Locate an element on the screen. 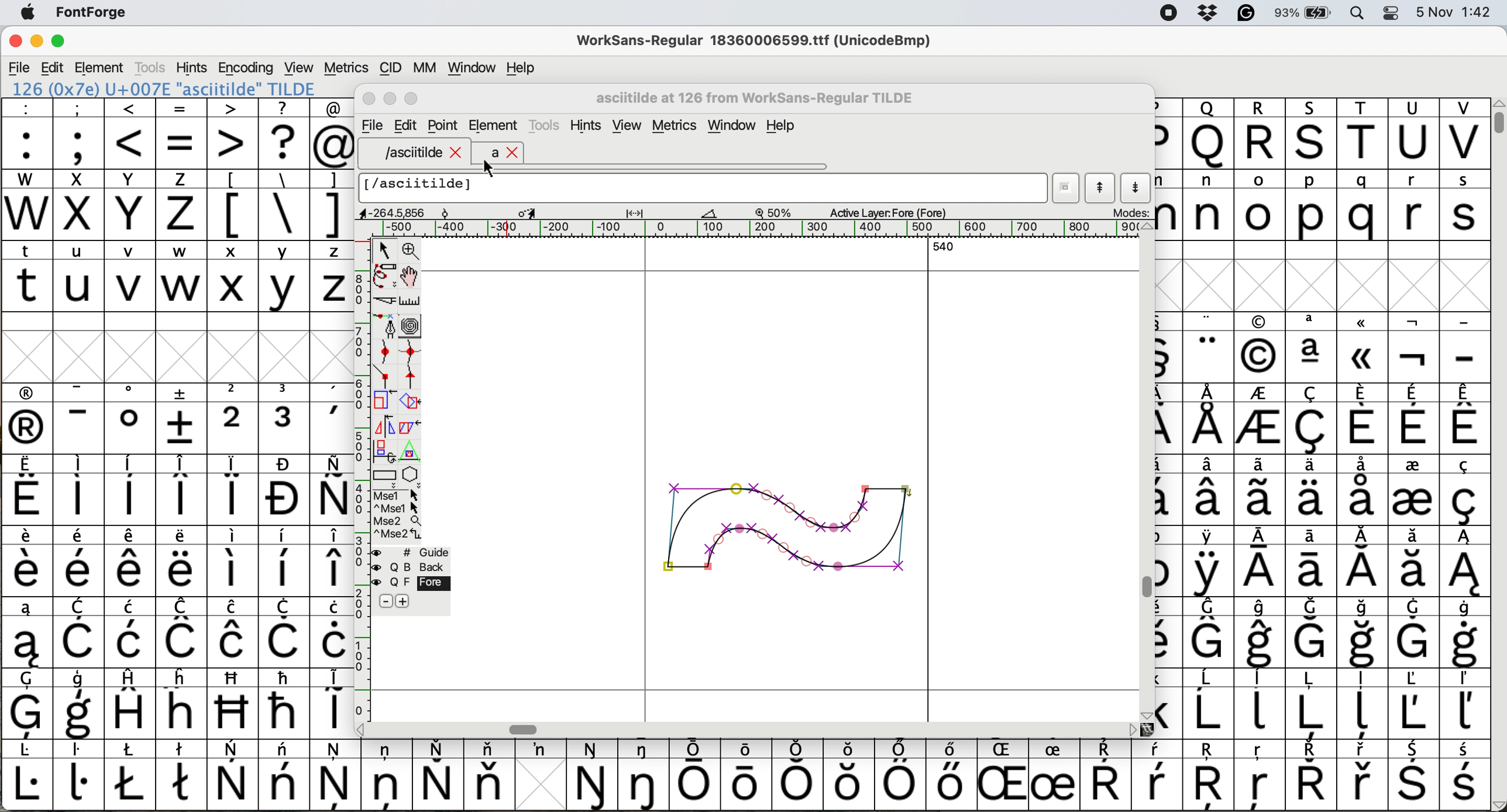 The width and height of the screenshot is (1507, 812). glyph name is located at coordinates (700, 188).